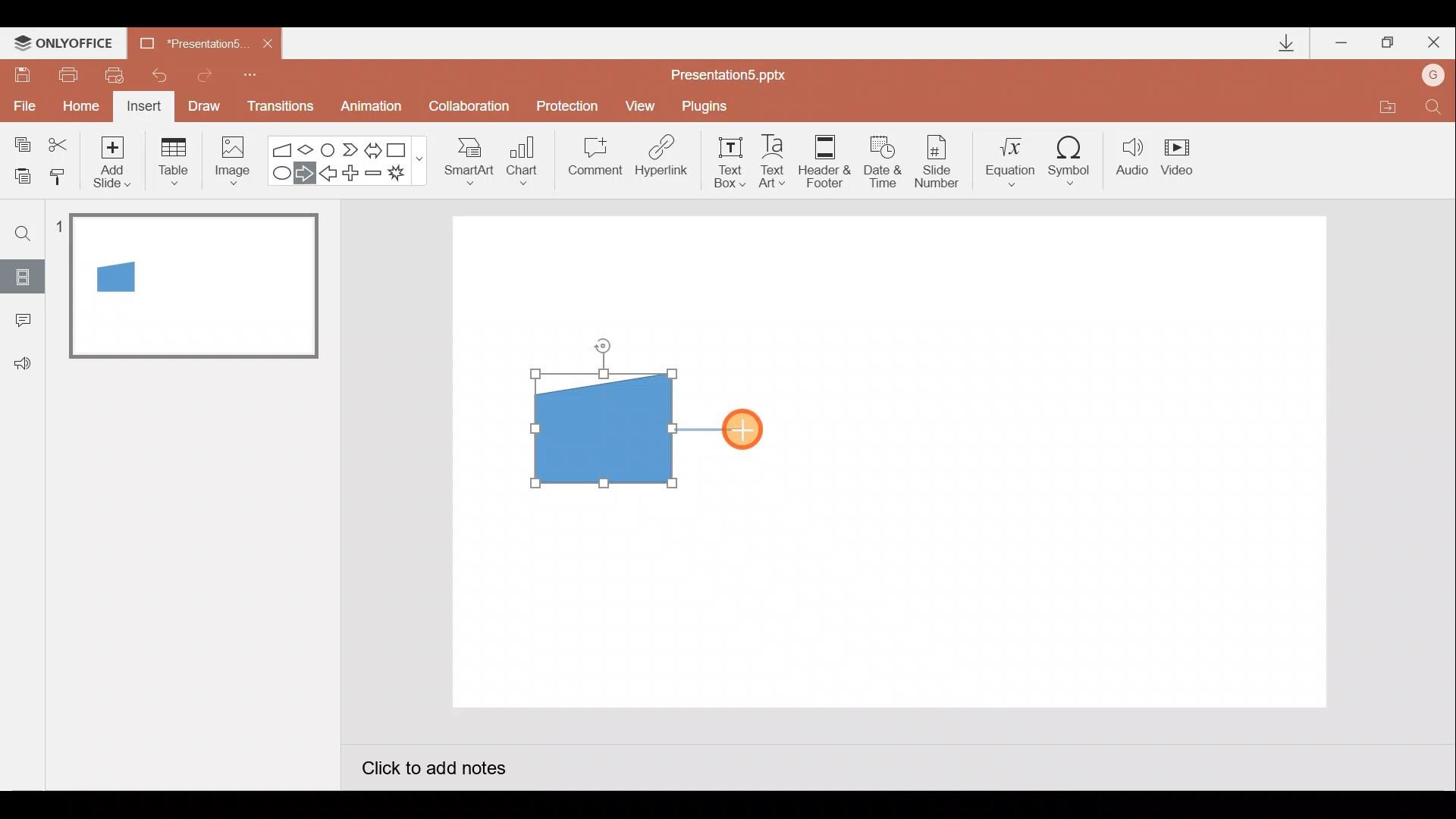 The width and height of the screenshot is (1456, 819). I want to click on Minus, so click(375, 176).